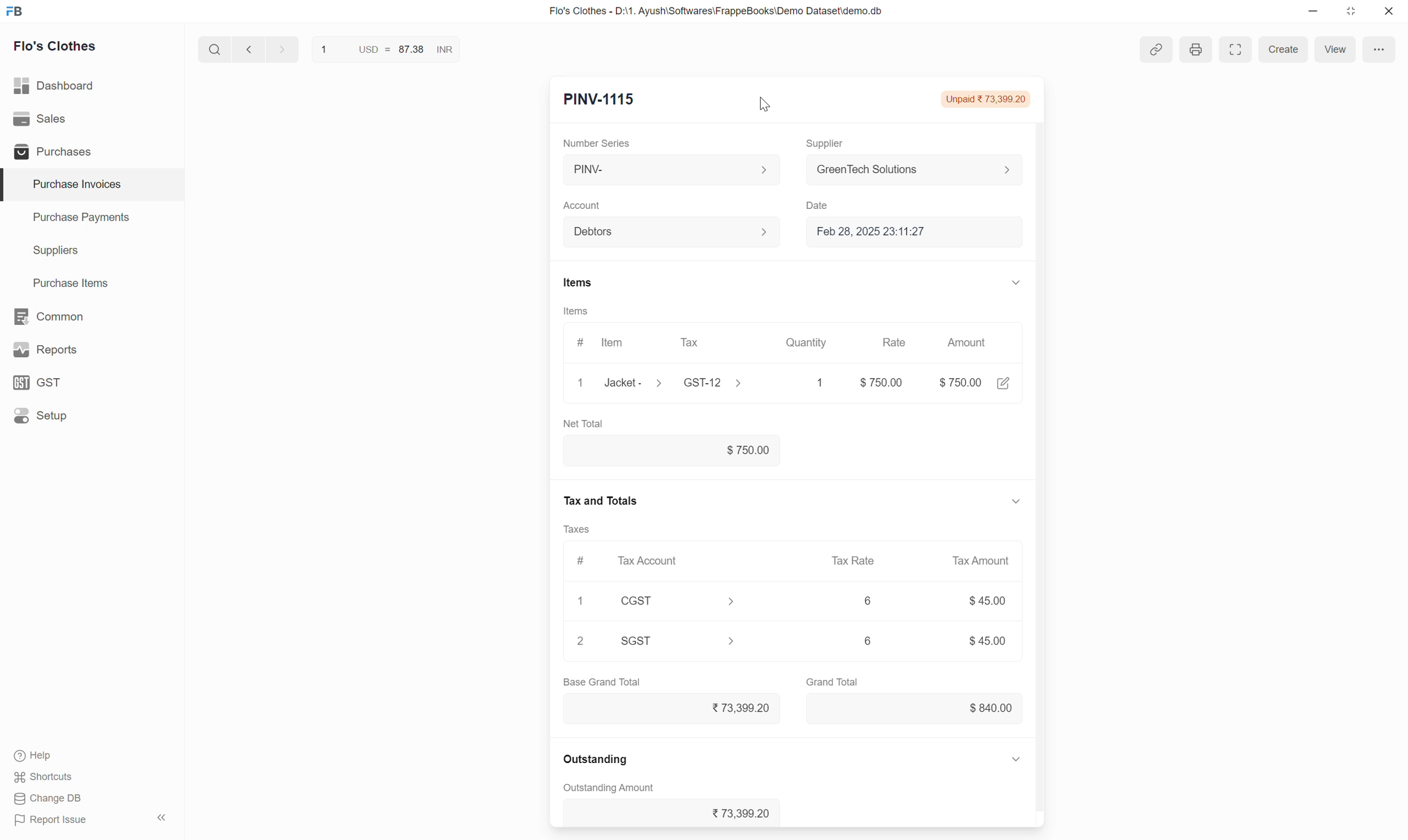 The width and height of the screenshot is (1408, 840). What do you see at coordinates (91, 151) in the screenshot?
I see `Purchases` at bounding box center [91, 151].